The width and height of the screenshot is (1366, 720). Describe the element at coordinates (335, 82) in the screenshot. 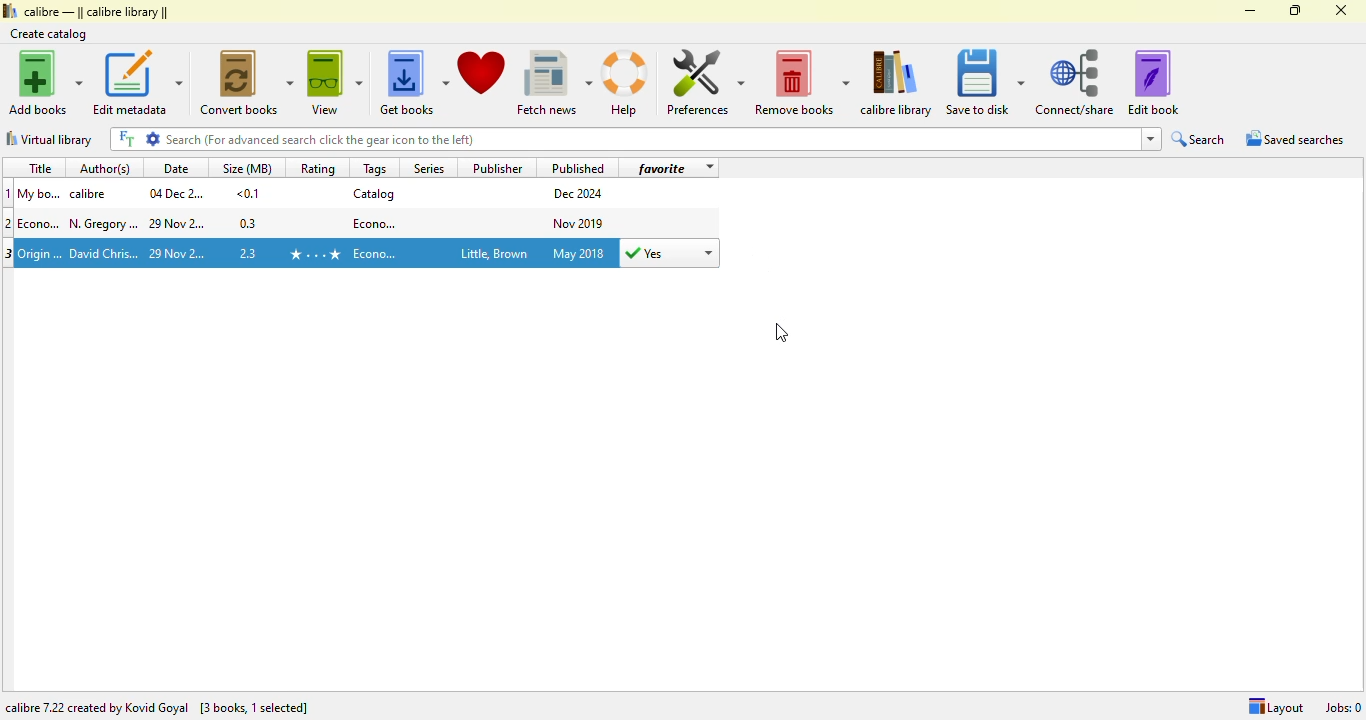

I see `view` at that location.